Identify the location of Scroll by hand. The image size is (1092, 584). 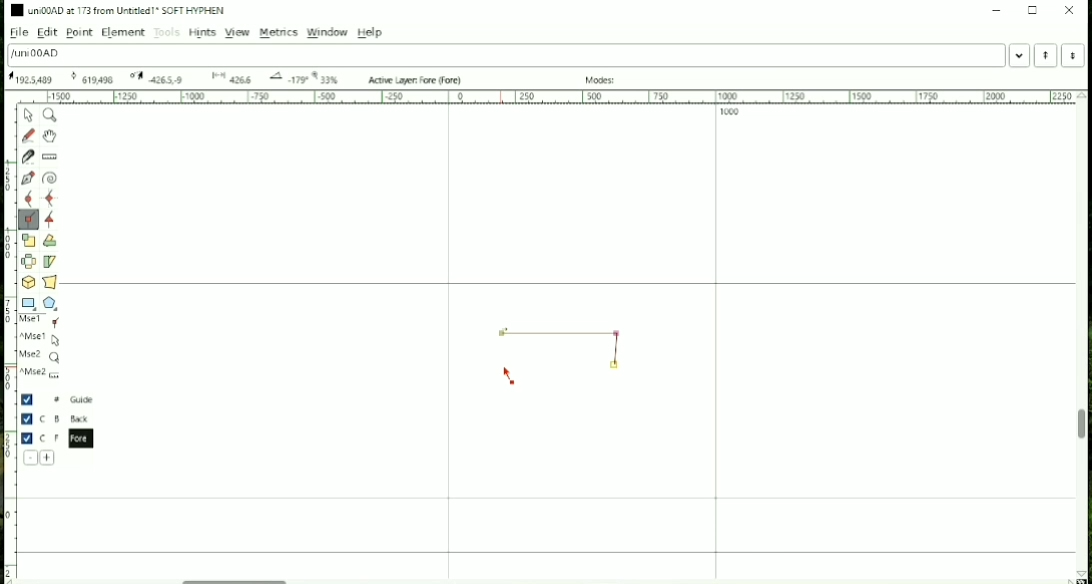
(49, 136).